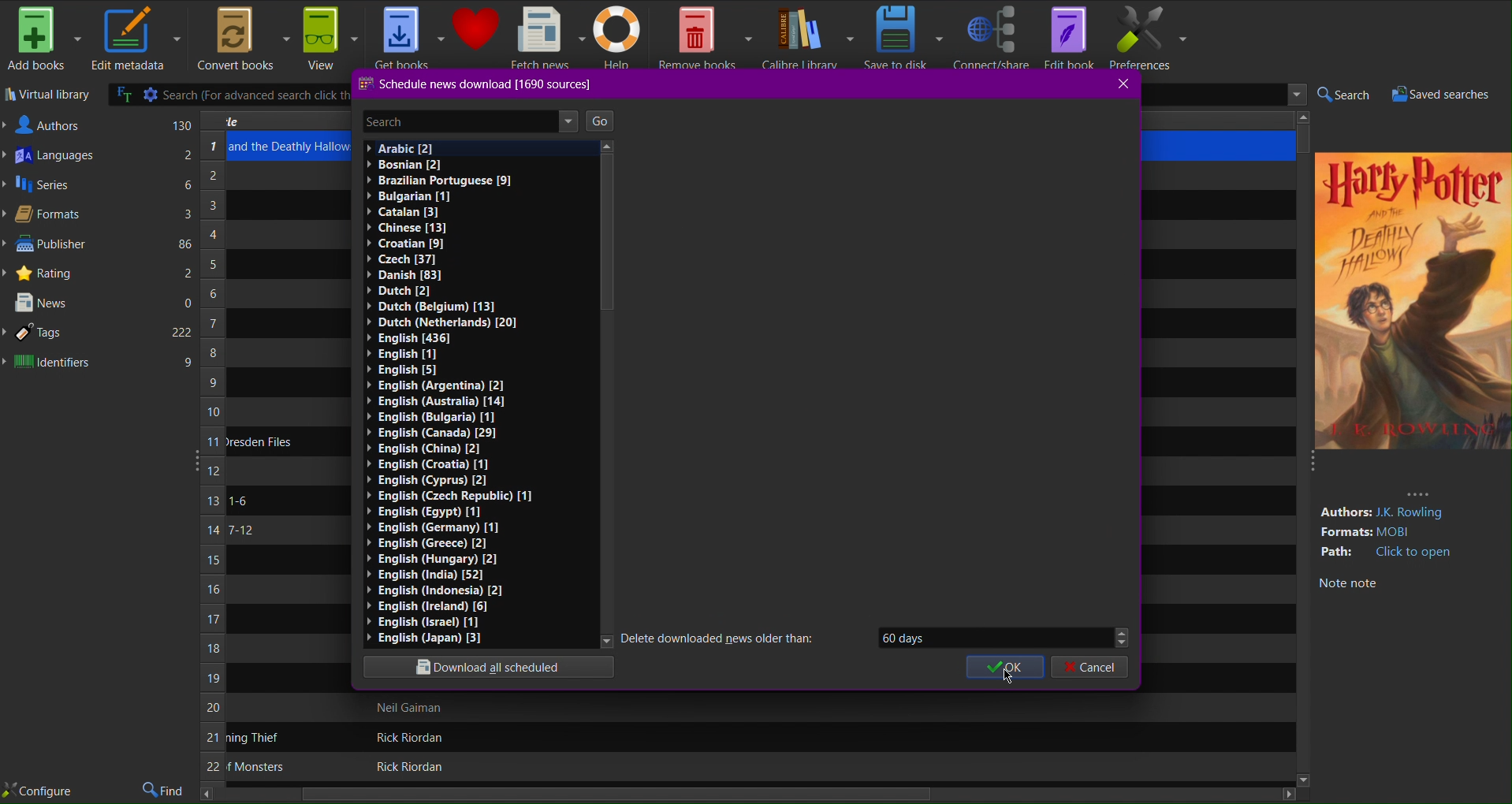 The height and width of the screenshot is (804, 1512). What do you see at coordinates (1347, 584) in the screenshot?
I see `Note note` at bounding box center [1347, 584].